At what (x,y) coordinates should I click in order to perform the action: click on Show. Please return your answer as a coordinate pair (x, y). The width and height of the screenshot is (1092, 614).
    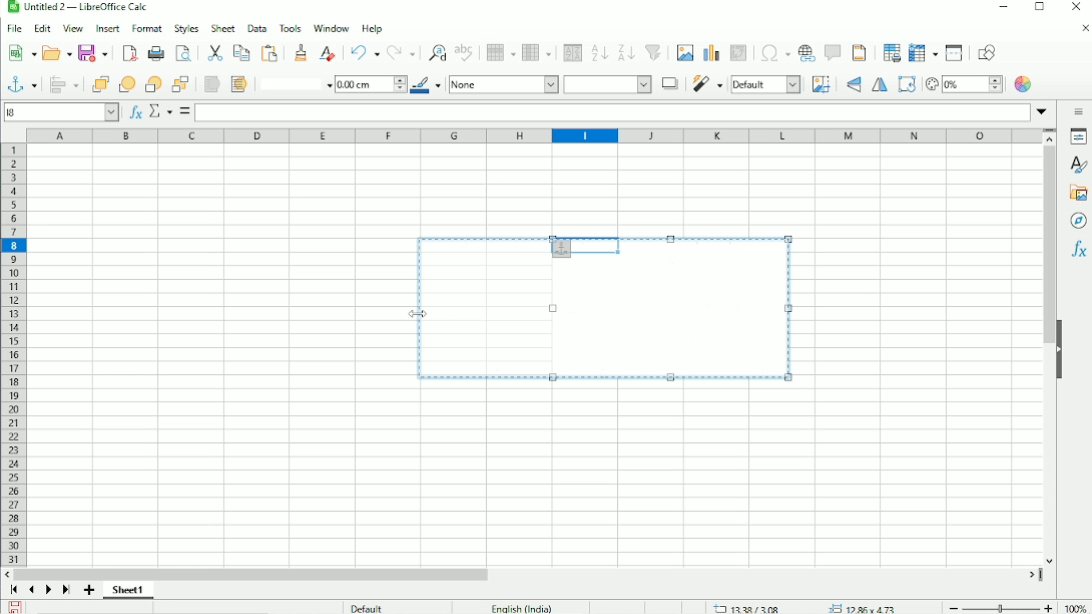
    Looking at the image, I should click on (1059, 348).